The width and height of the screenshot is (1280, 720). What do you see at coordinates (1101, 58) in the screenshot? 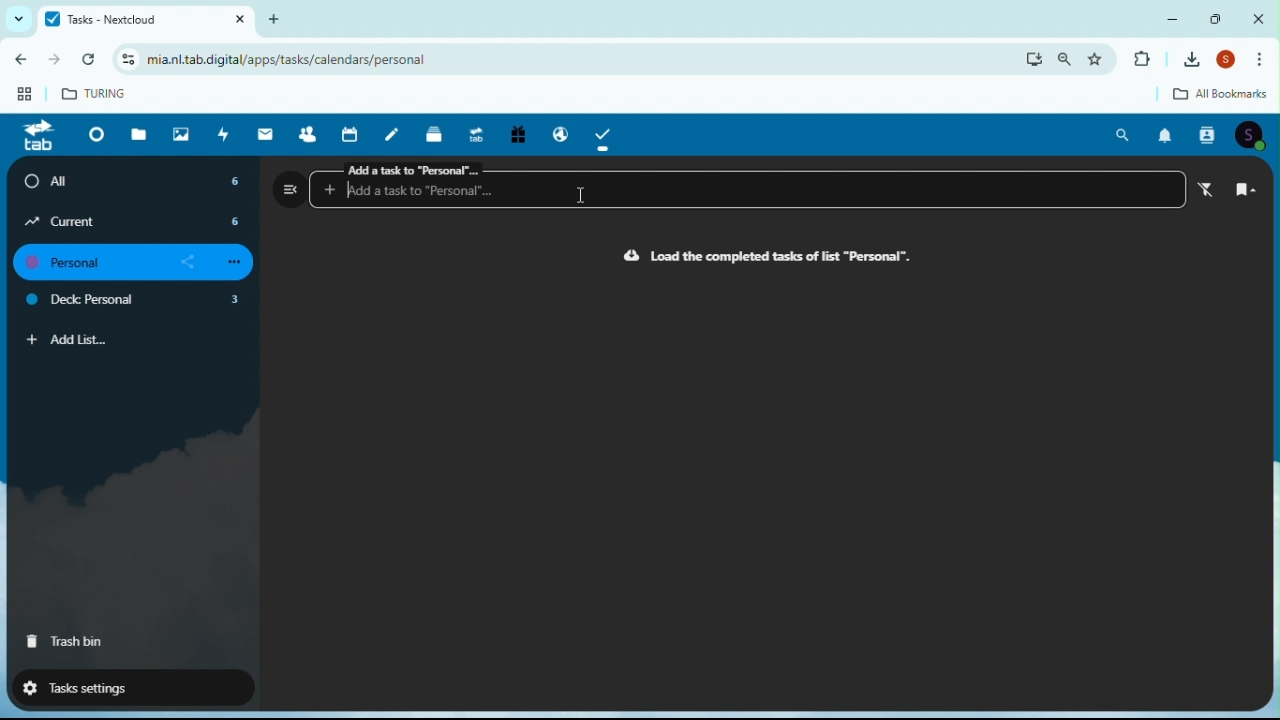
I see `favorites` at bounding box center [1101, 58].